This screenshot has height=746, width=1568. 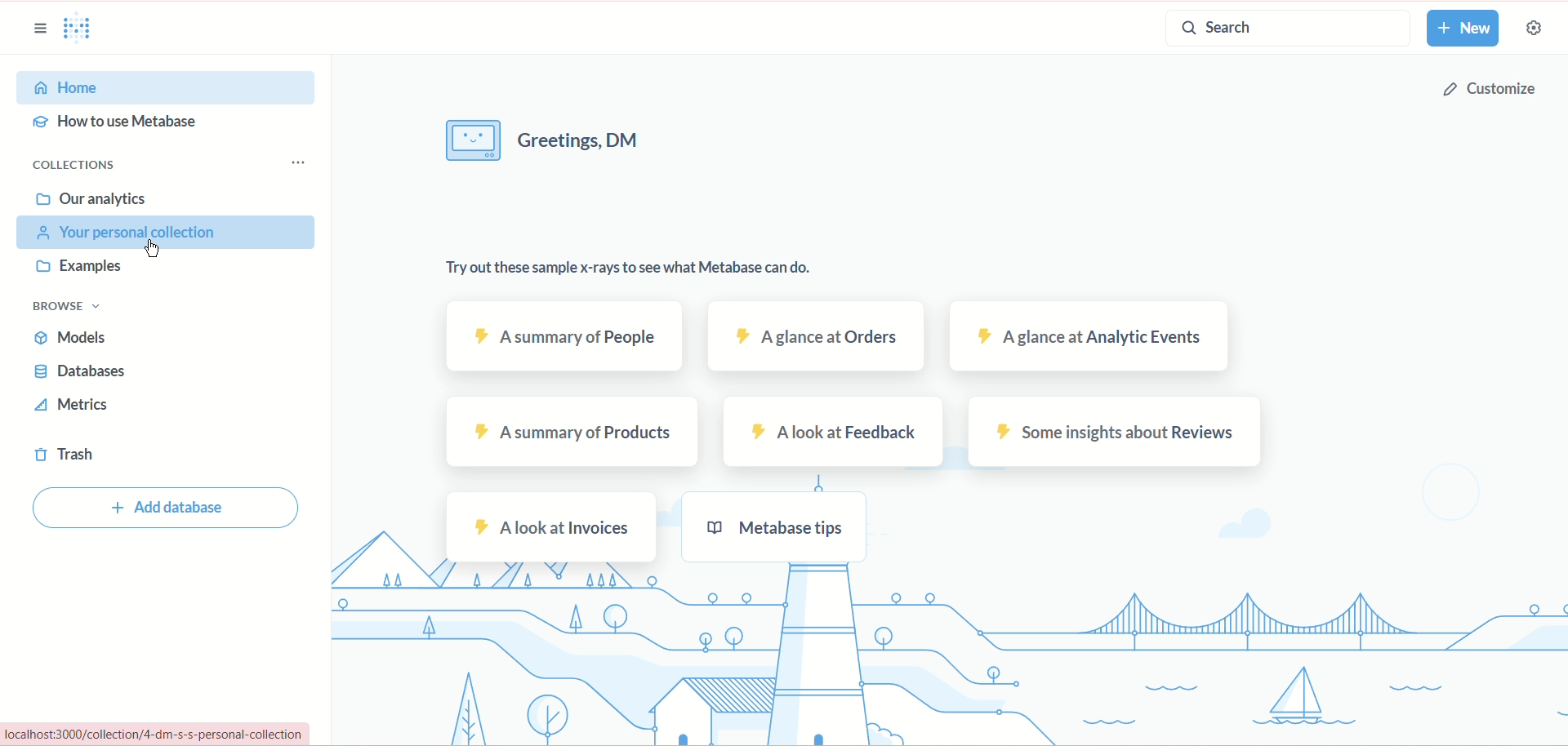 What do you see at coordinates (473, 140) in the screenshot?
I see `image` at bounding box center [473, 140].